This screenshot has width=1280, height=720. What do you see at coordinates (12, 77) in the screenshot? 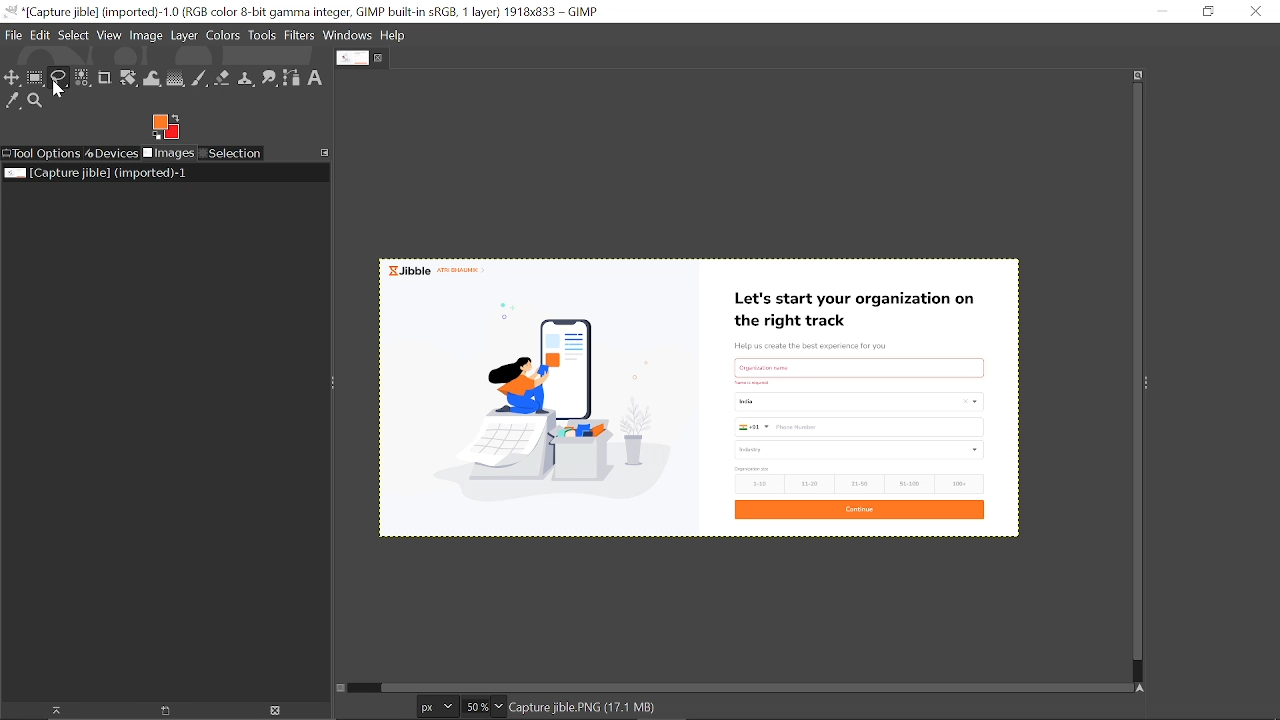
I see `Move tool` at bounding box center [12, 77].